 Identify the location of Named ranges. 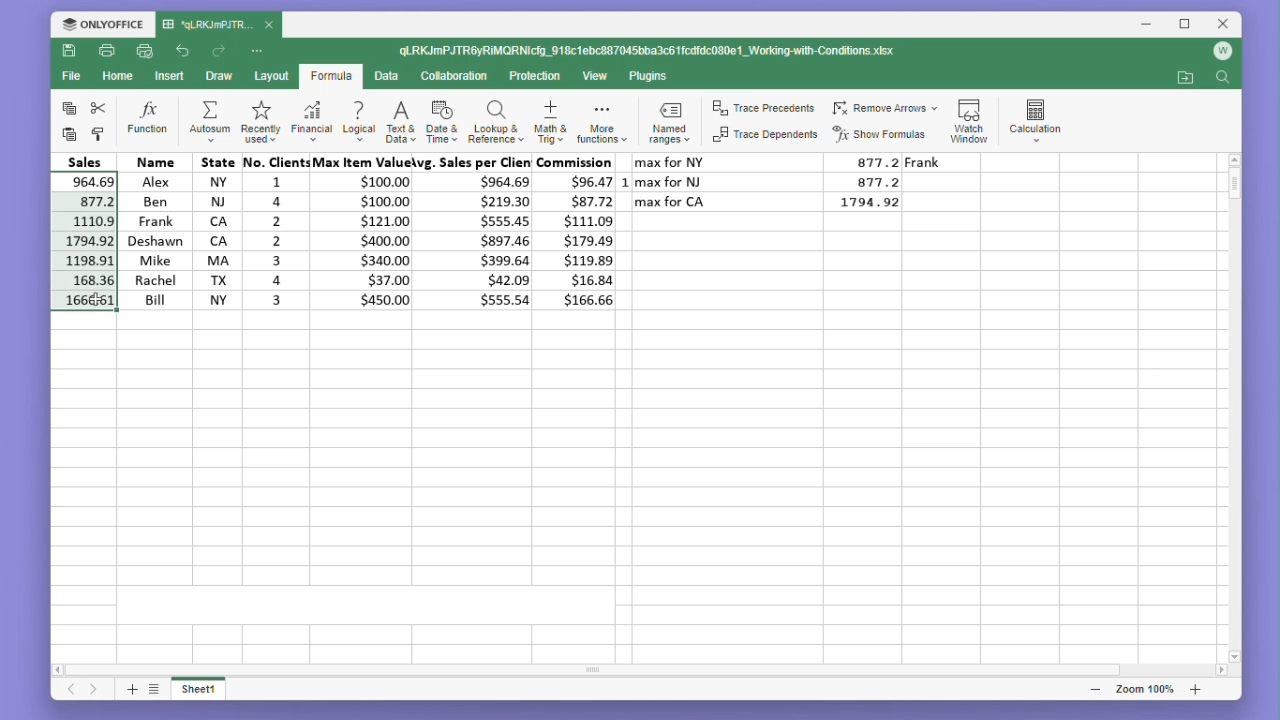
(673, 121).